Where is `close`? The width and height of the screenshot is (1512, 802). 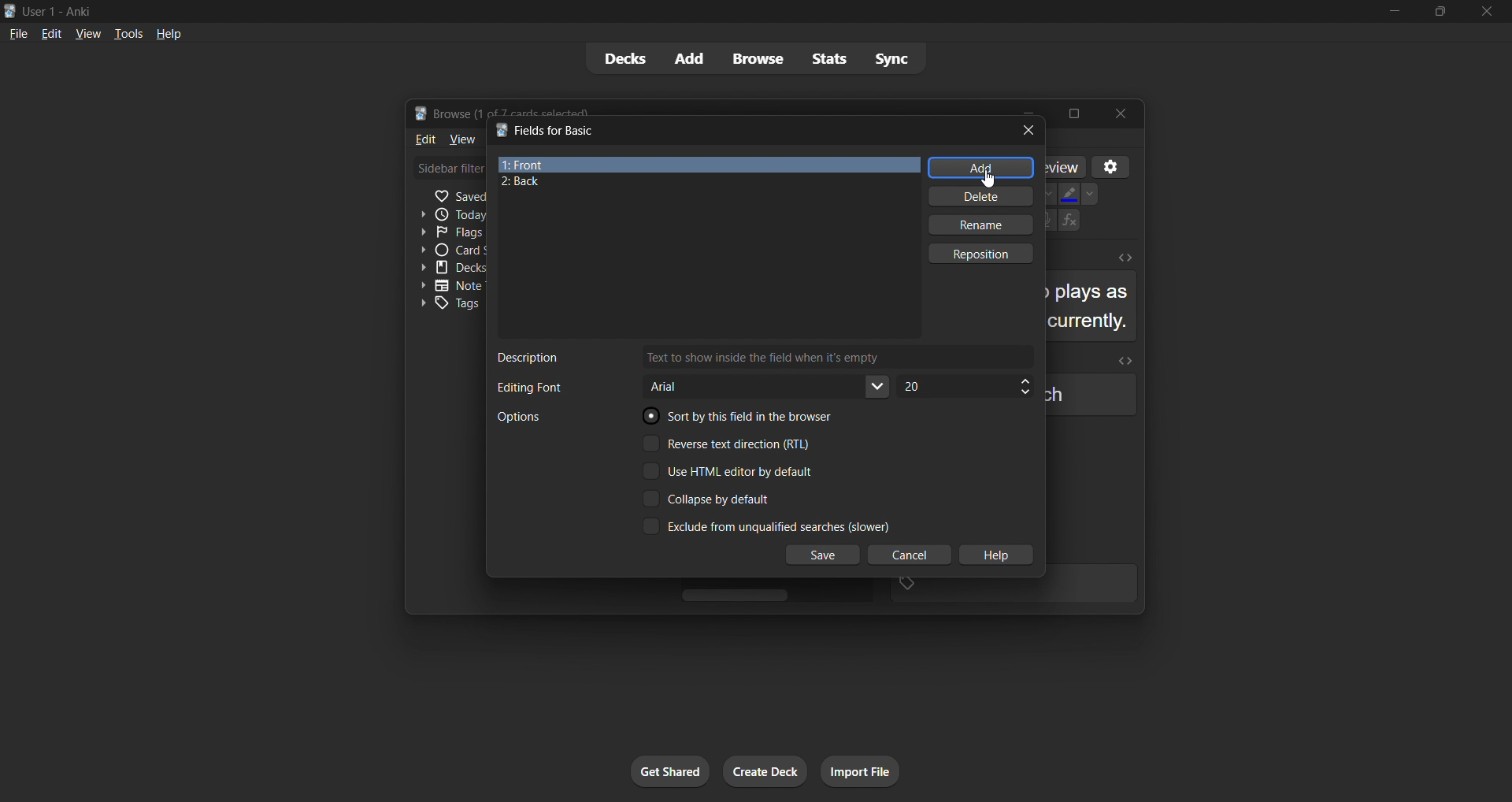
close is located at coordinates (1484, 12).